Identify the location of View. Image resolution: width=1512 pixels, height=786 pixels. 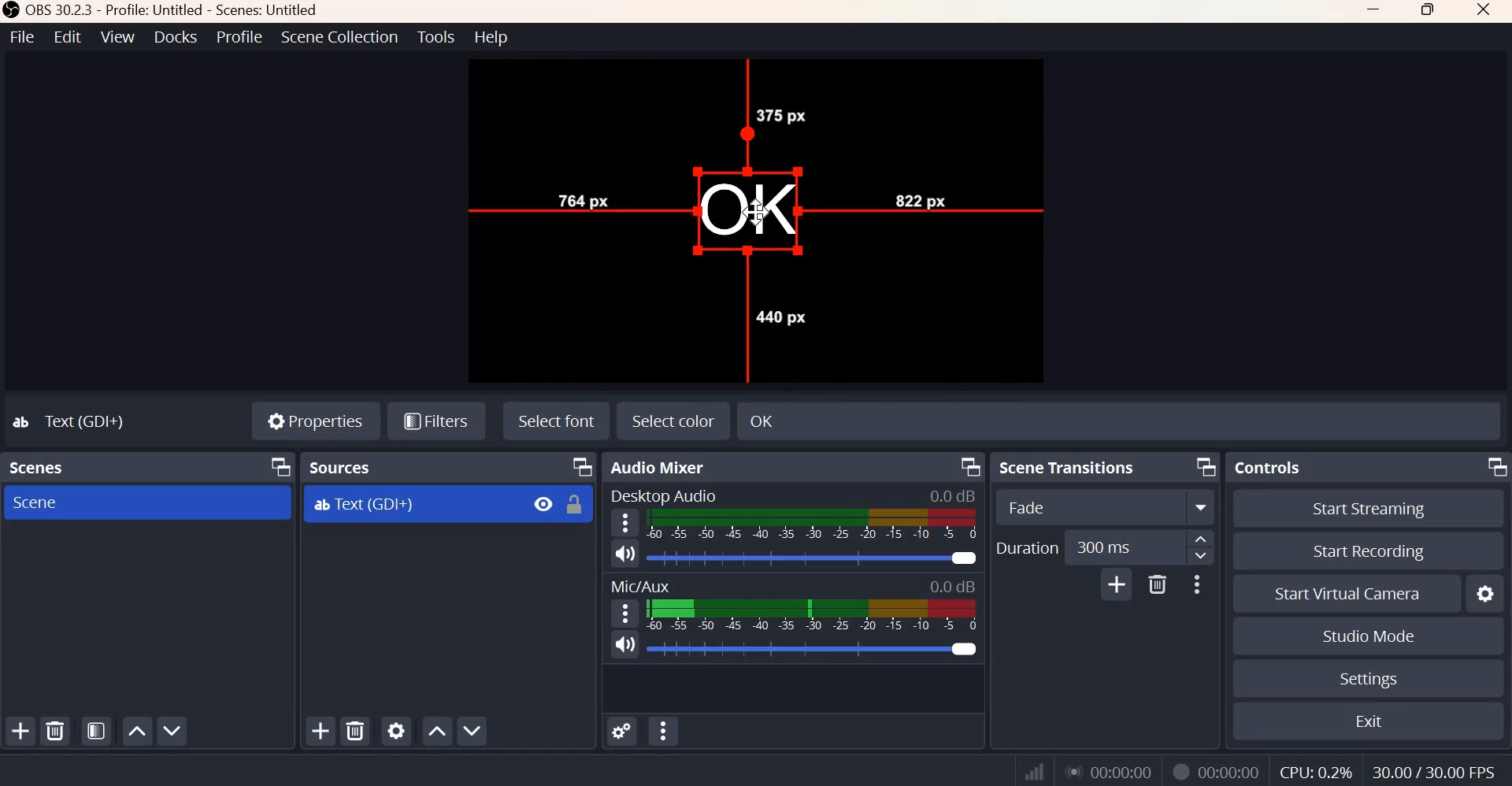
(117, 36).